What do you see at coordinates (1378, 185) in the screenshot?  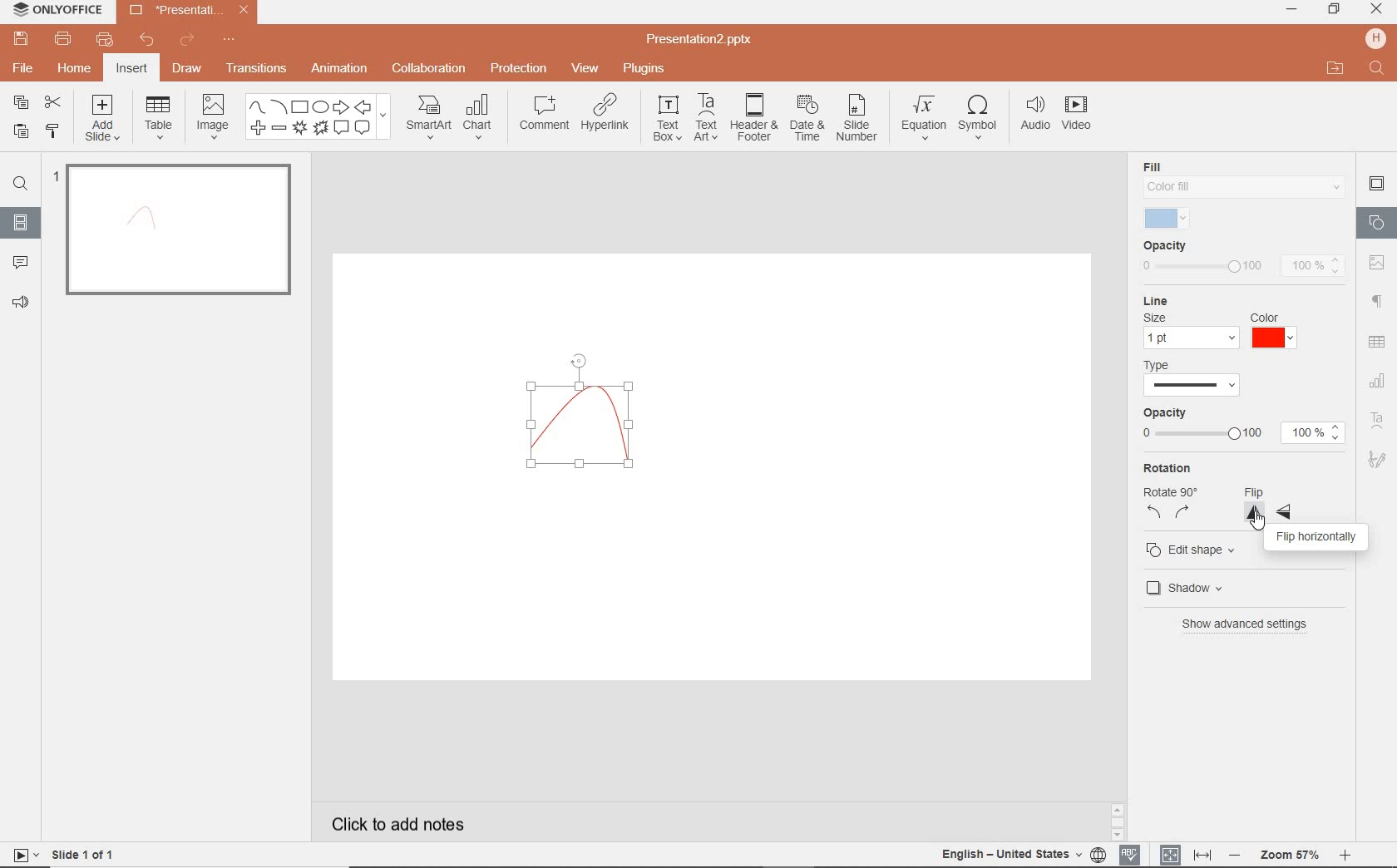 I see `SLIDE SETTINGS` at bounding box center [1378, 185].